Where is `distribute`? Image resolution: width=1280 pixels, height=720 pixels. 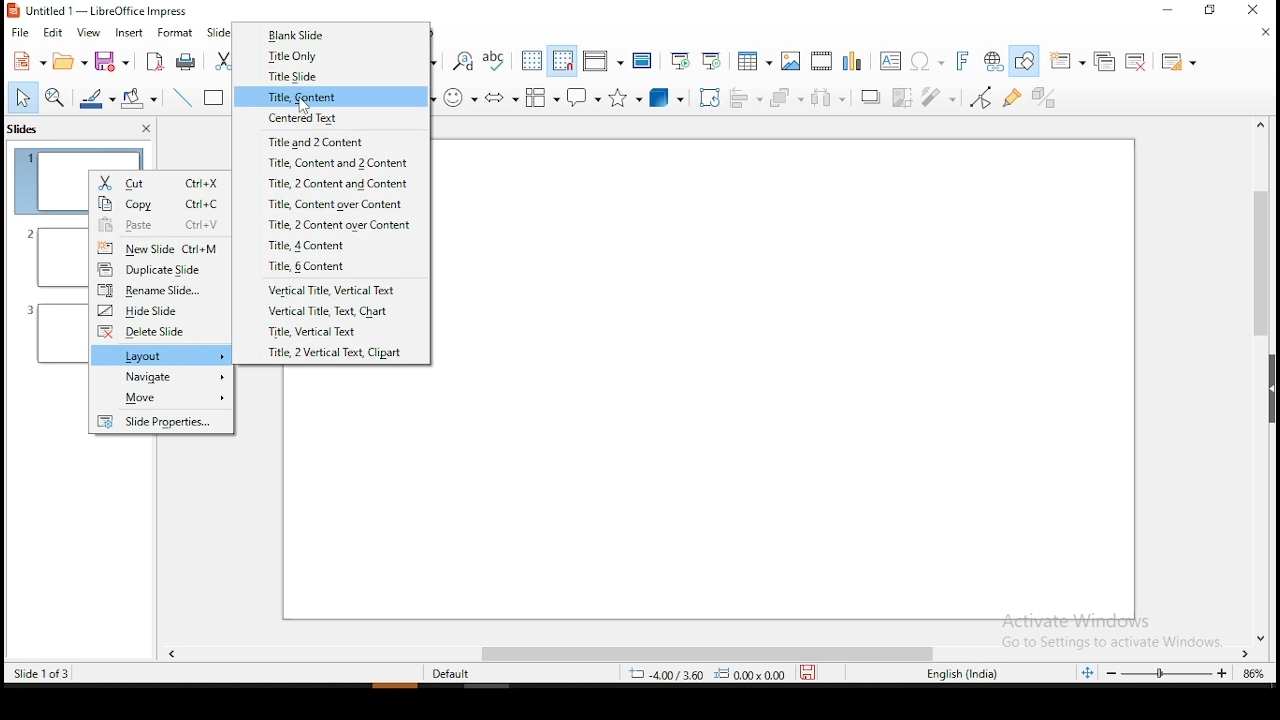 distribute is located at coordinates (828, 96).